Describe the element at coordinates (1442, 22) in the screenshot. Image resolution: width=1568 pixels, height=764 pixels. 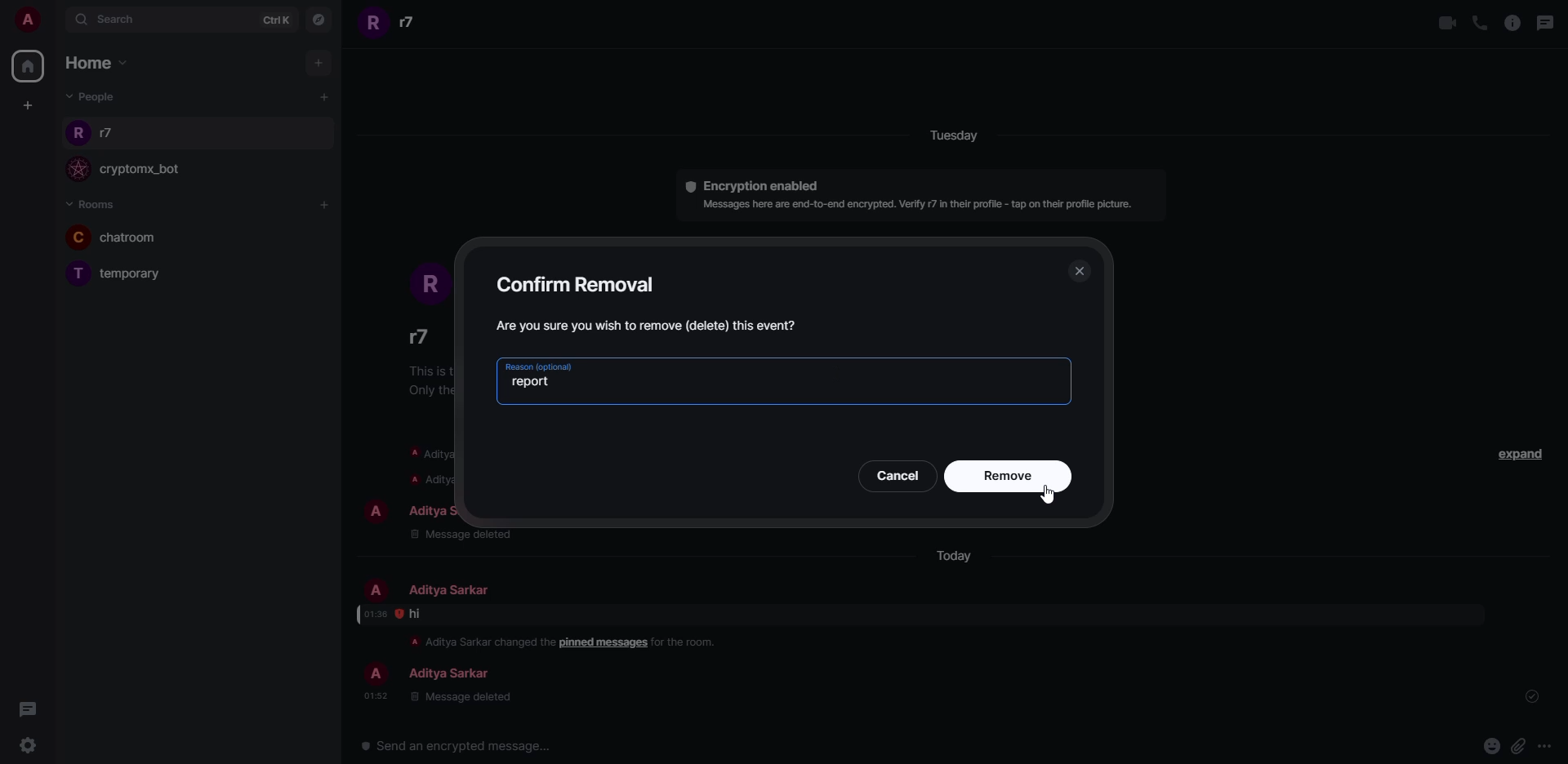
I see `video call` at that location.